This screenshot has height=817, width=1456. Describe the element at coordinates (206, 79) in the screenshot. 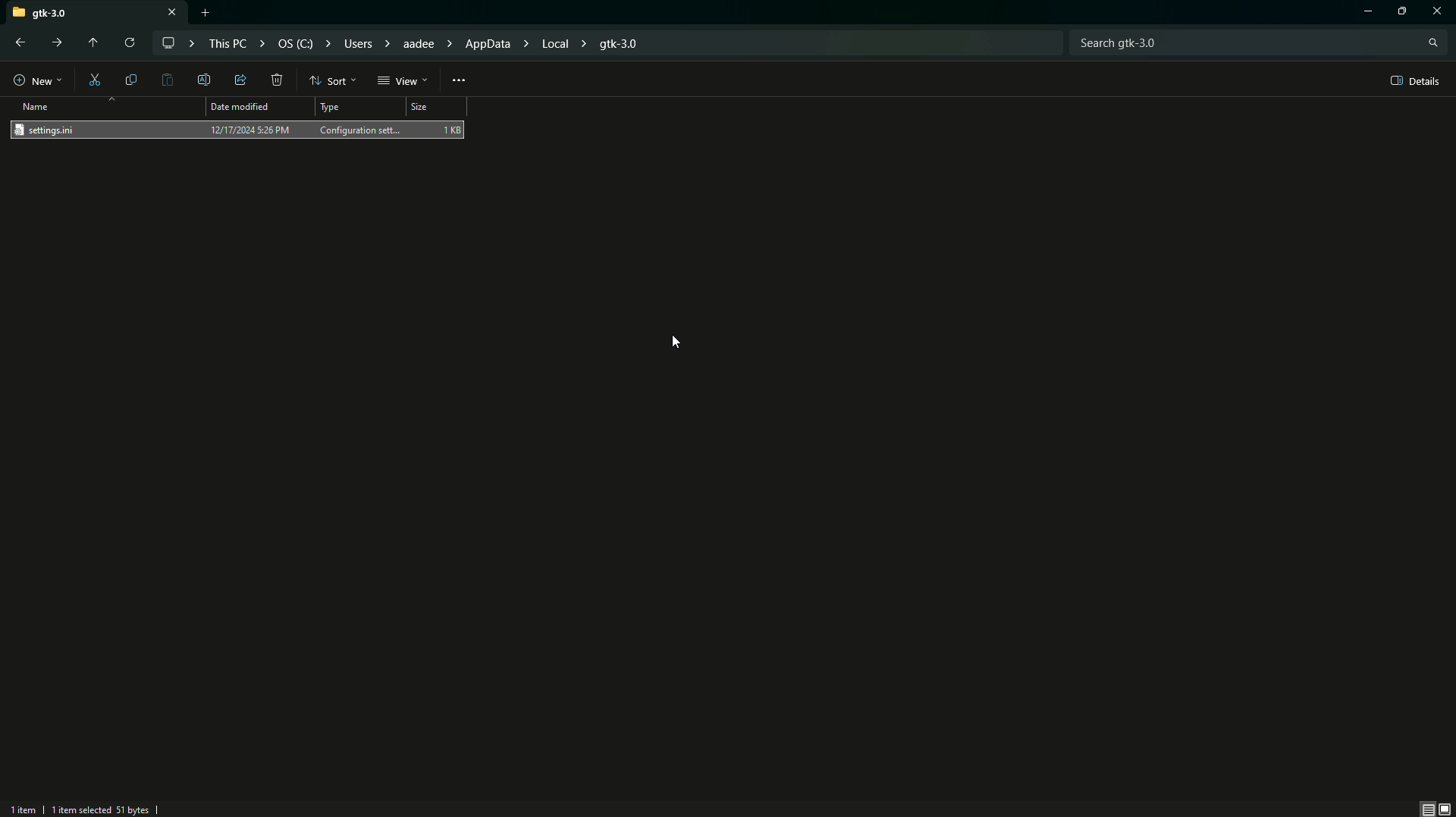

I see `Edit` at that location.